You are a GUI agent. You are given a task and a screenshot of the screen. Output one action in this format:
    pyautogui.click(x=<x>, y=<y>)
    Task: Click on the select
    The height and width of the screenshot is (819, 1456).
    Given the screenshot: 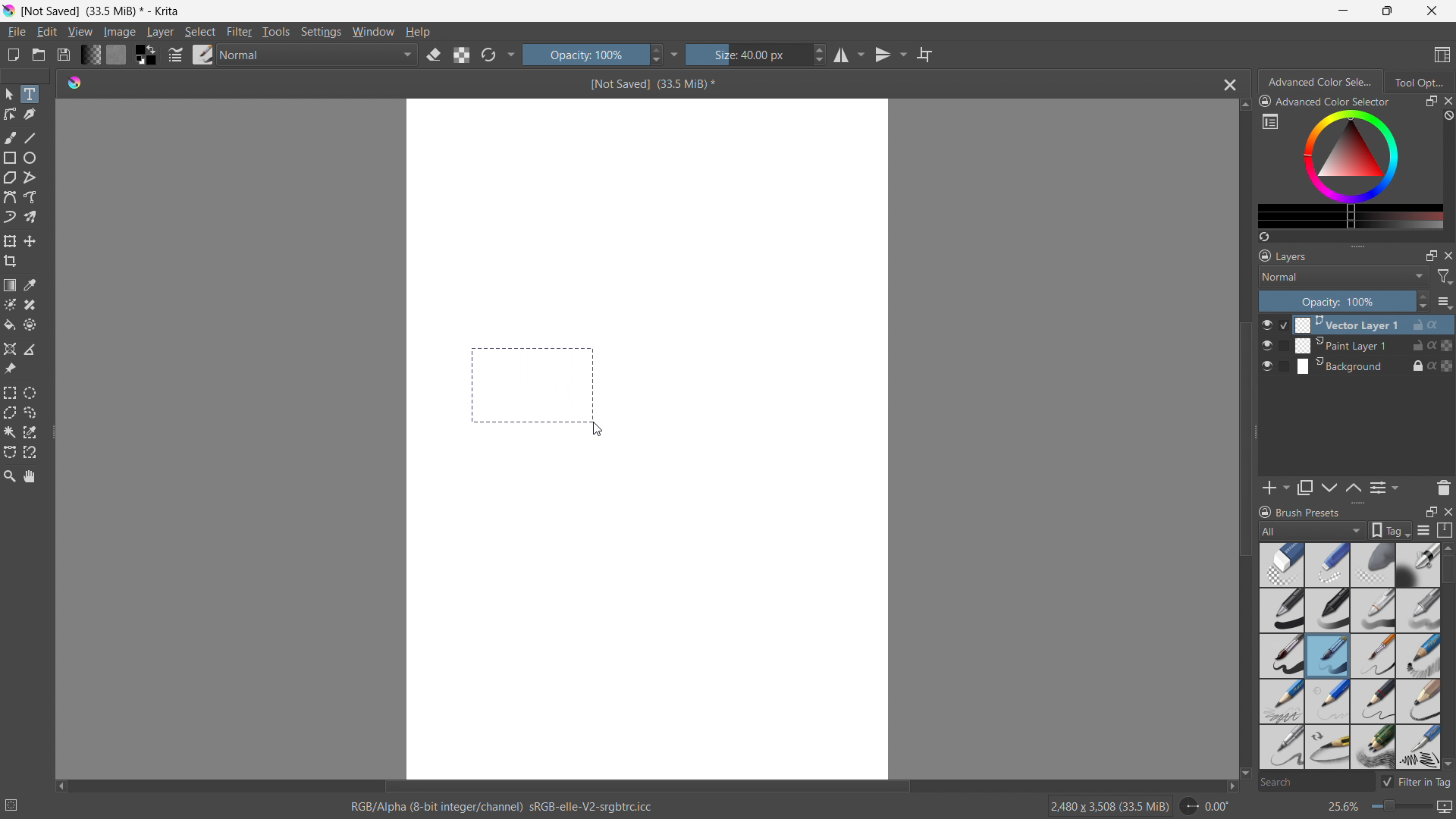 What is the action you would take?
    pyautogui.click(x=199, y=32)
    